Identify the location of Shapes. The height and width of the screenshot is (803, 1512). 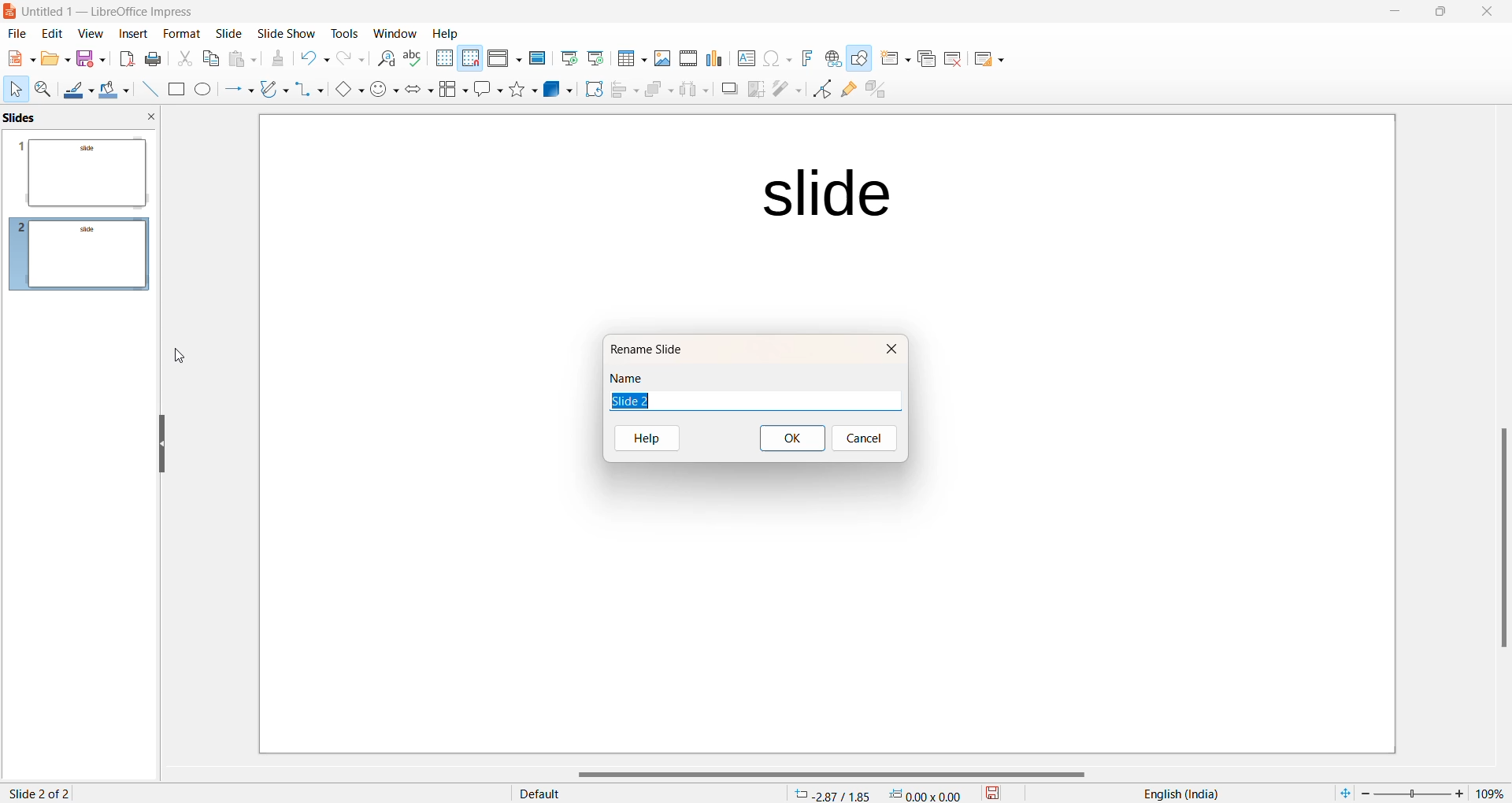
(521, 90).